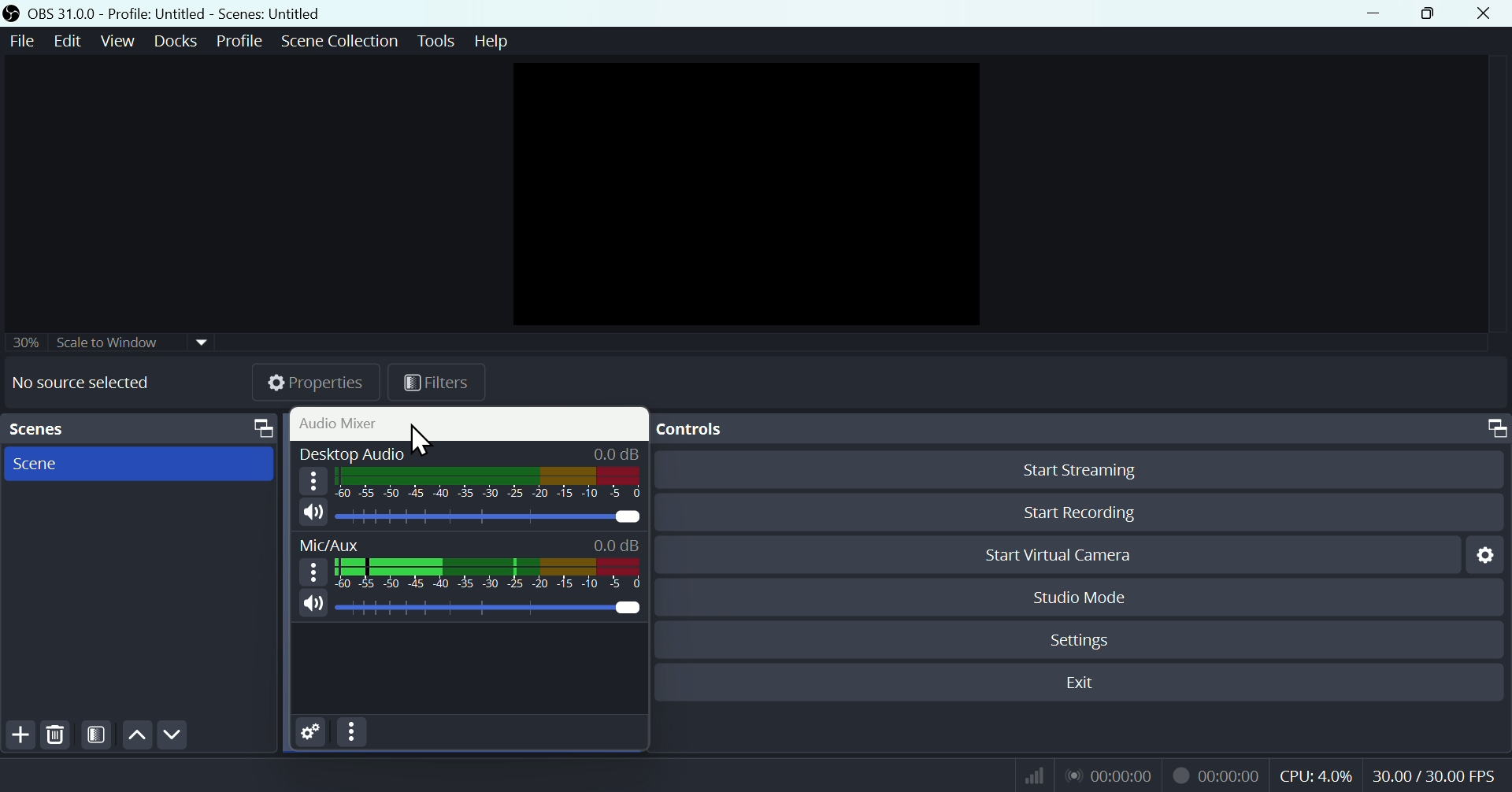 This screenshot has height=792, width=1512. I want to click on OBS Studio Desktop icon, so click(10, 13).